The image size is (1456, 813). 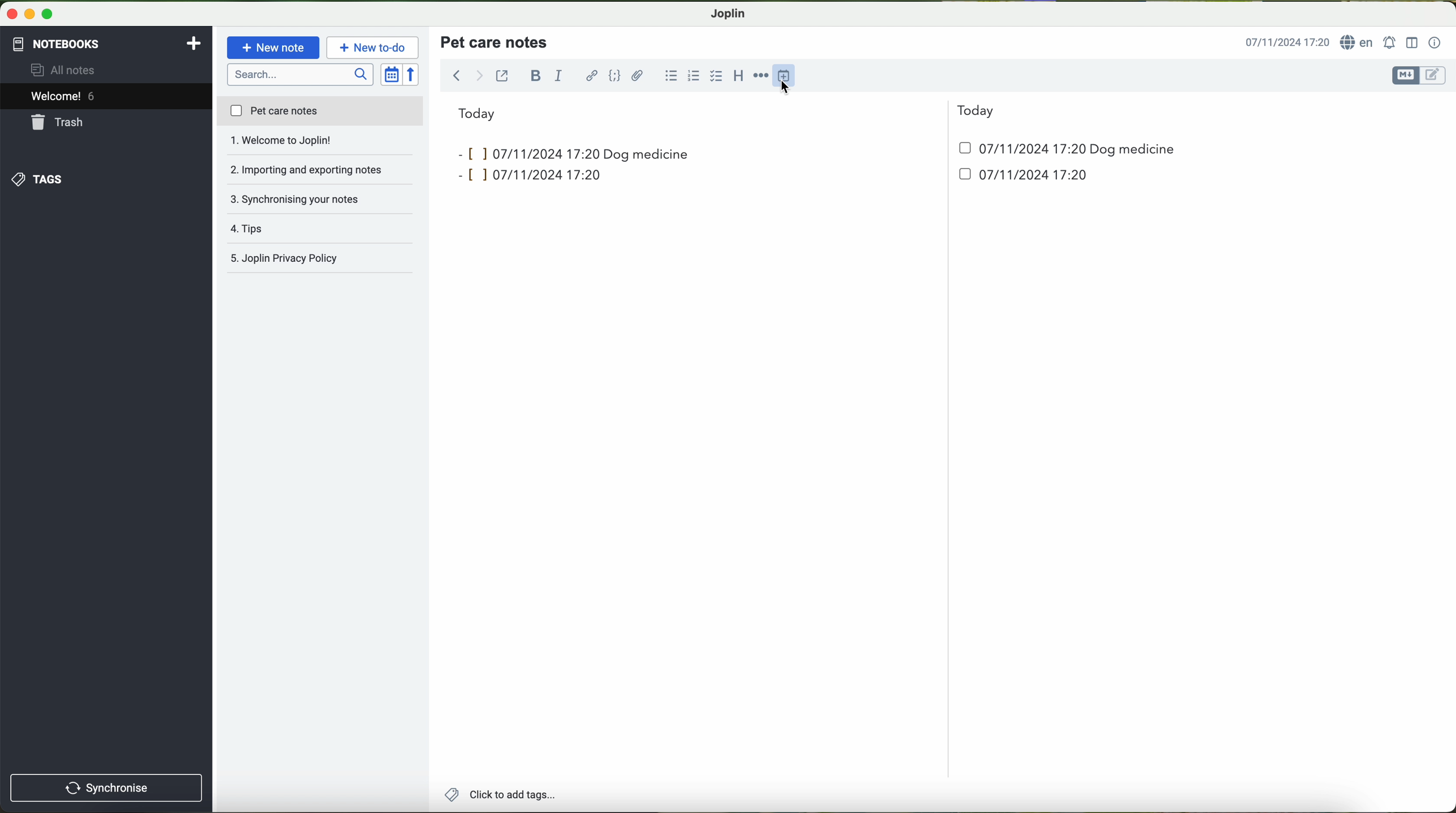 What do you see at coordinates (669, 76) in the screenshot?
I see `bulleted list` at bounding box center [669, 76].